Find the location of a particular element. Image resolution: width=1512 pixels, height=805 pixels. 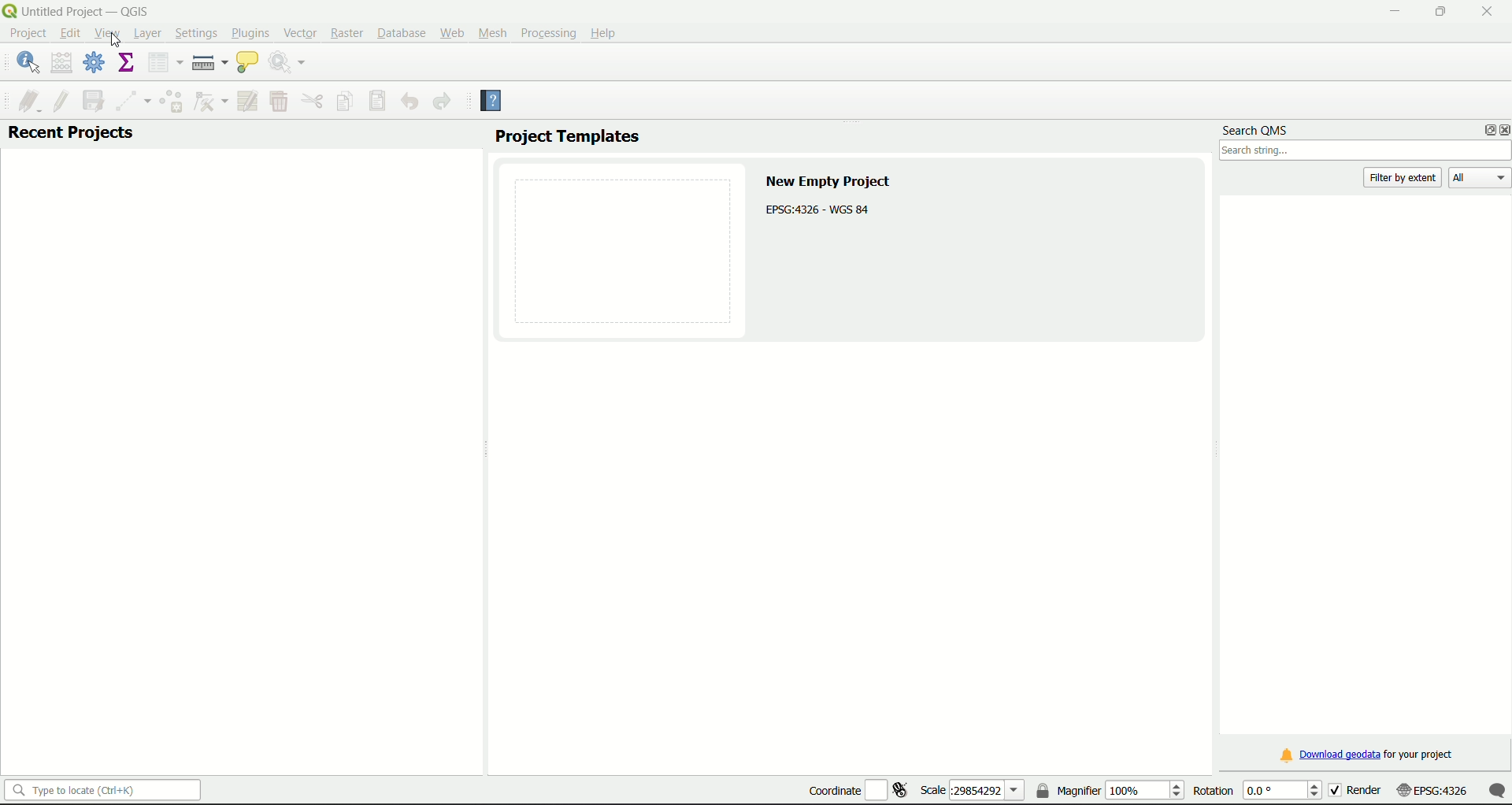

Settings is located at coordinates (197, 35).